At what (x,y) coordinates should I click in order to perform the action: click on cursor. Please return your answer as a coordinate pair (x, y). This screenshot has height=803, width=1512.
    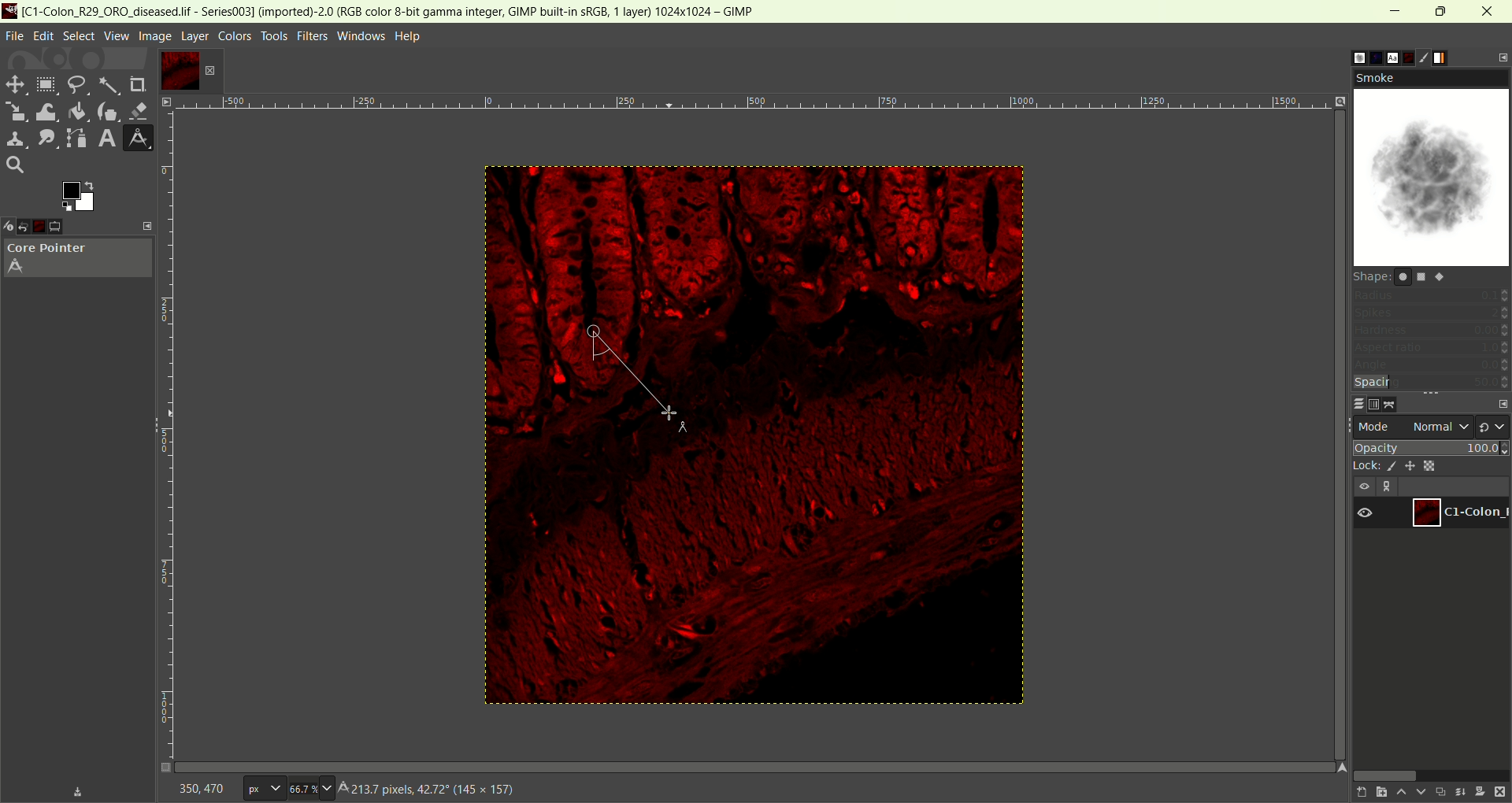
    Looking at the image, I should click on (590, 333).